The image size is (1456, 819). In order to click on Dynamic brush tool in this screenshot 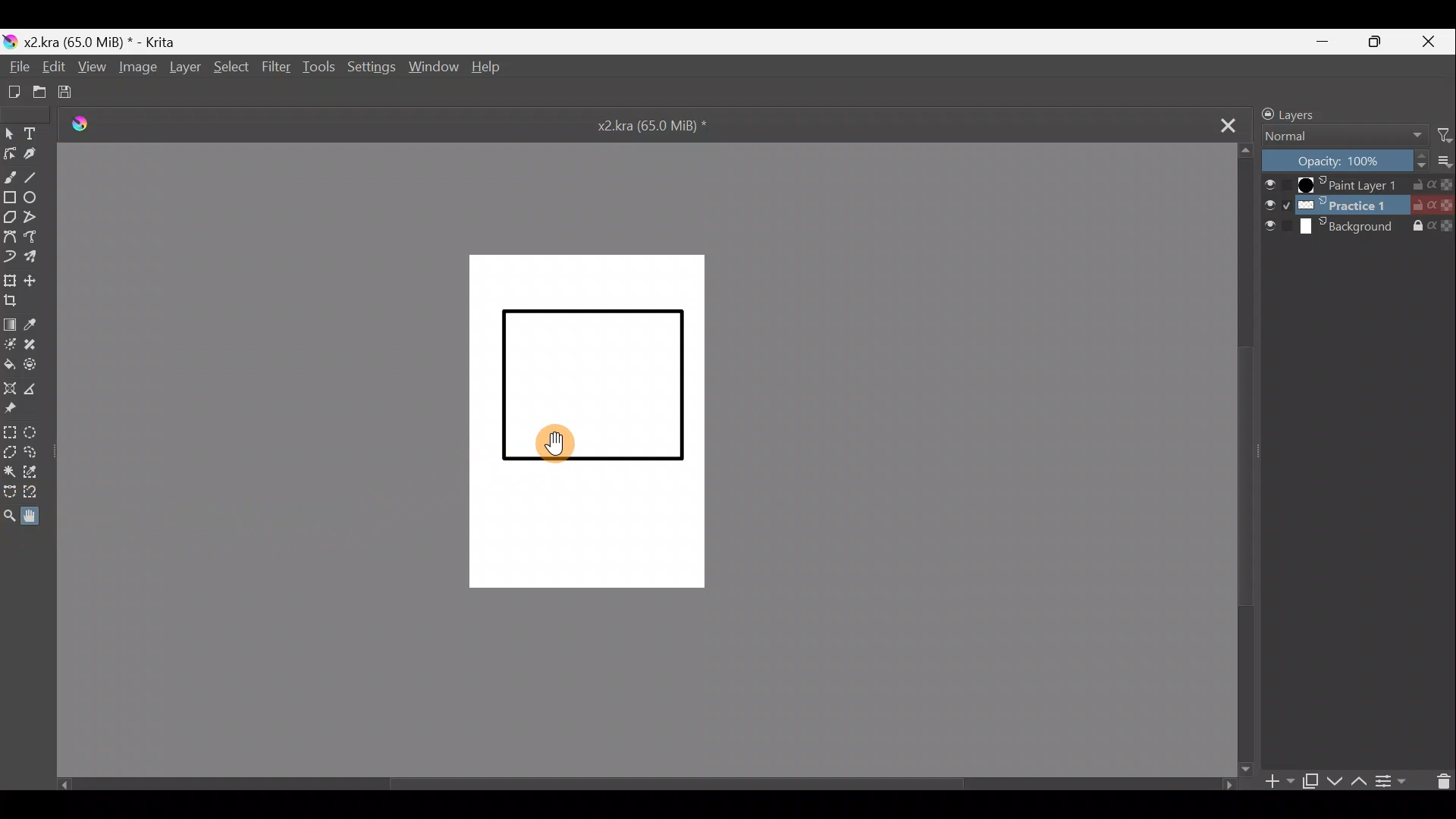, I will do `click(9, 254)`.